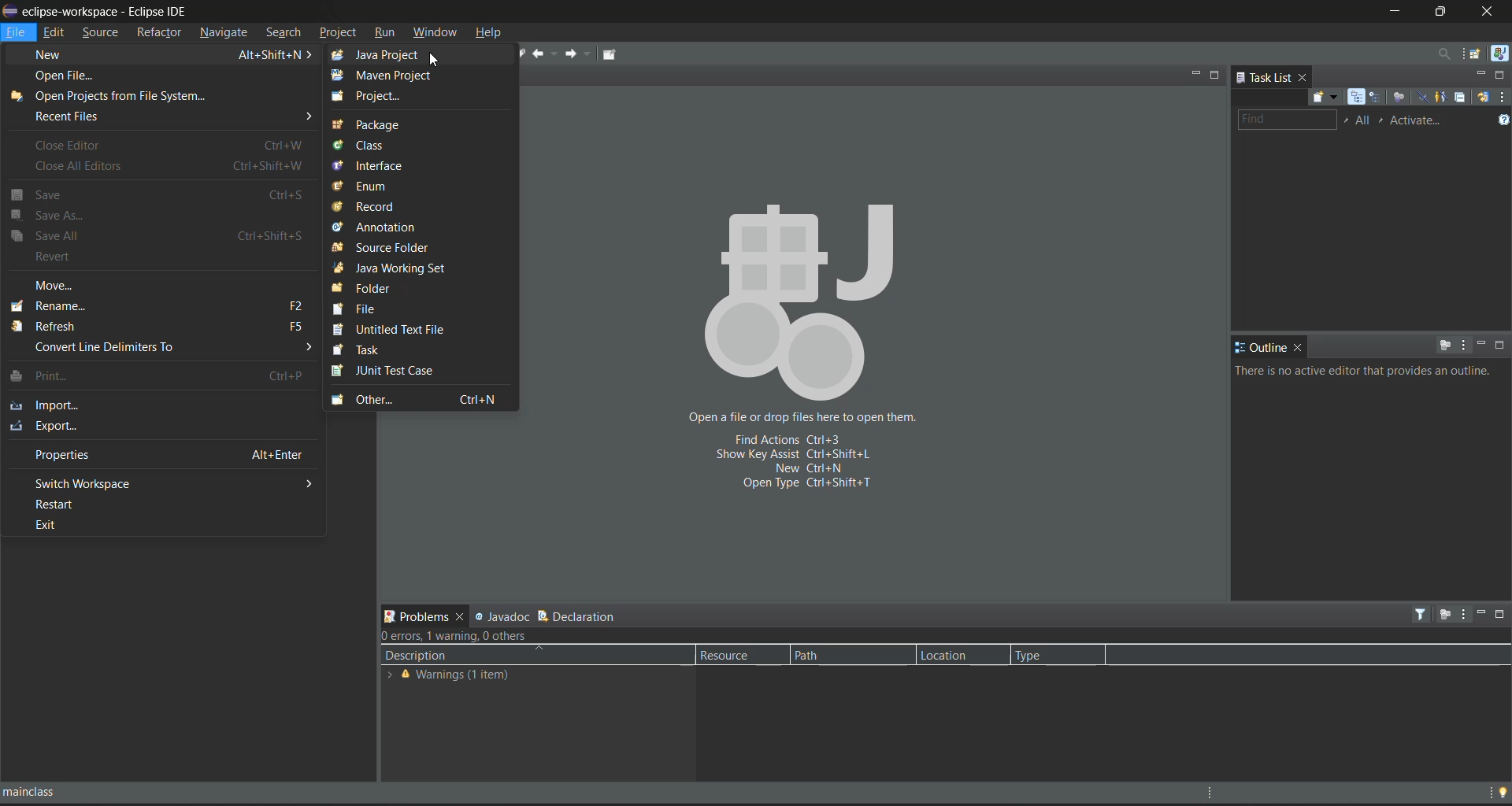 This screenshot has width=1512, height=806. Describe the element at coordinates (1303, 76) in the screenshot. I see `close` at that location.